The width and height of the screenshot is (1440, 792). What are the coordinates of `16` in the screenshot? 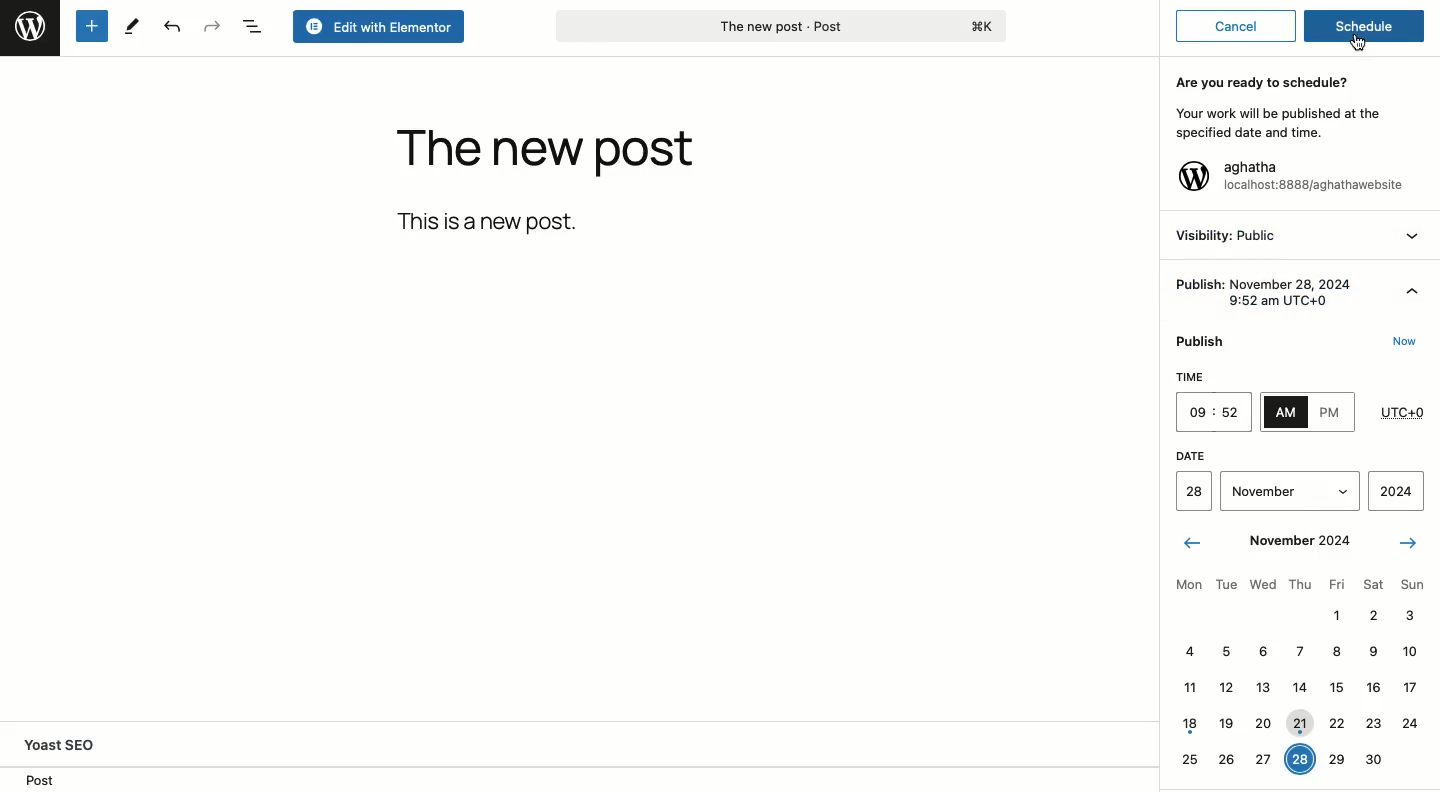 It's located at (1372, 686).